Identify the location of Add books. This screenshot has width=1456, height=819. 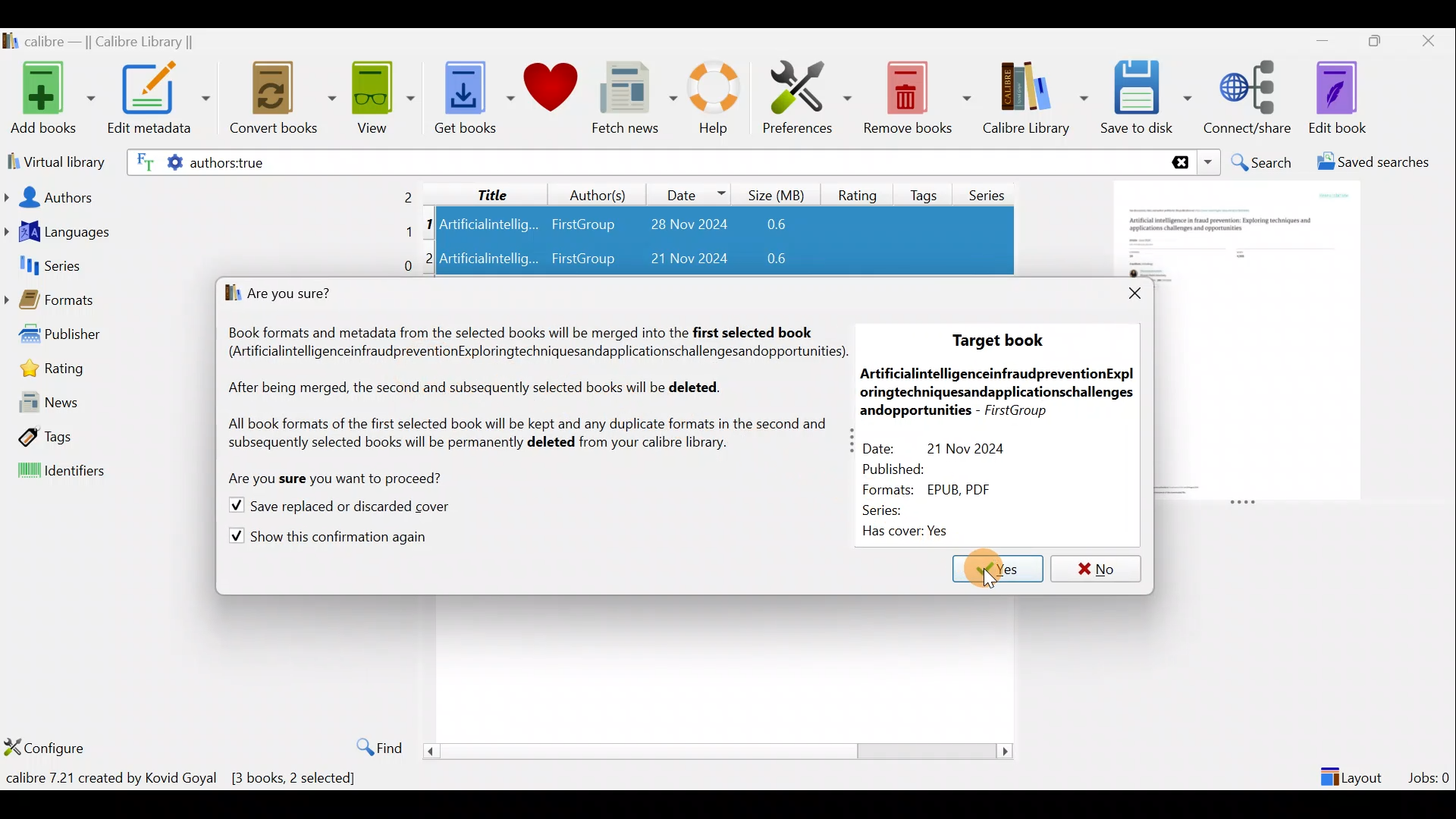
(50, 99).